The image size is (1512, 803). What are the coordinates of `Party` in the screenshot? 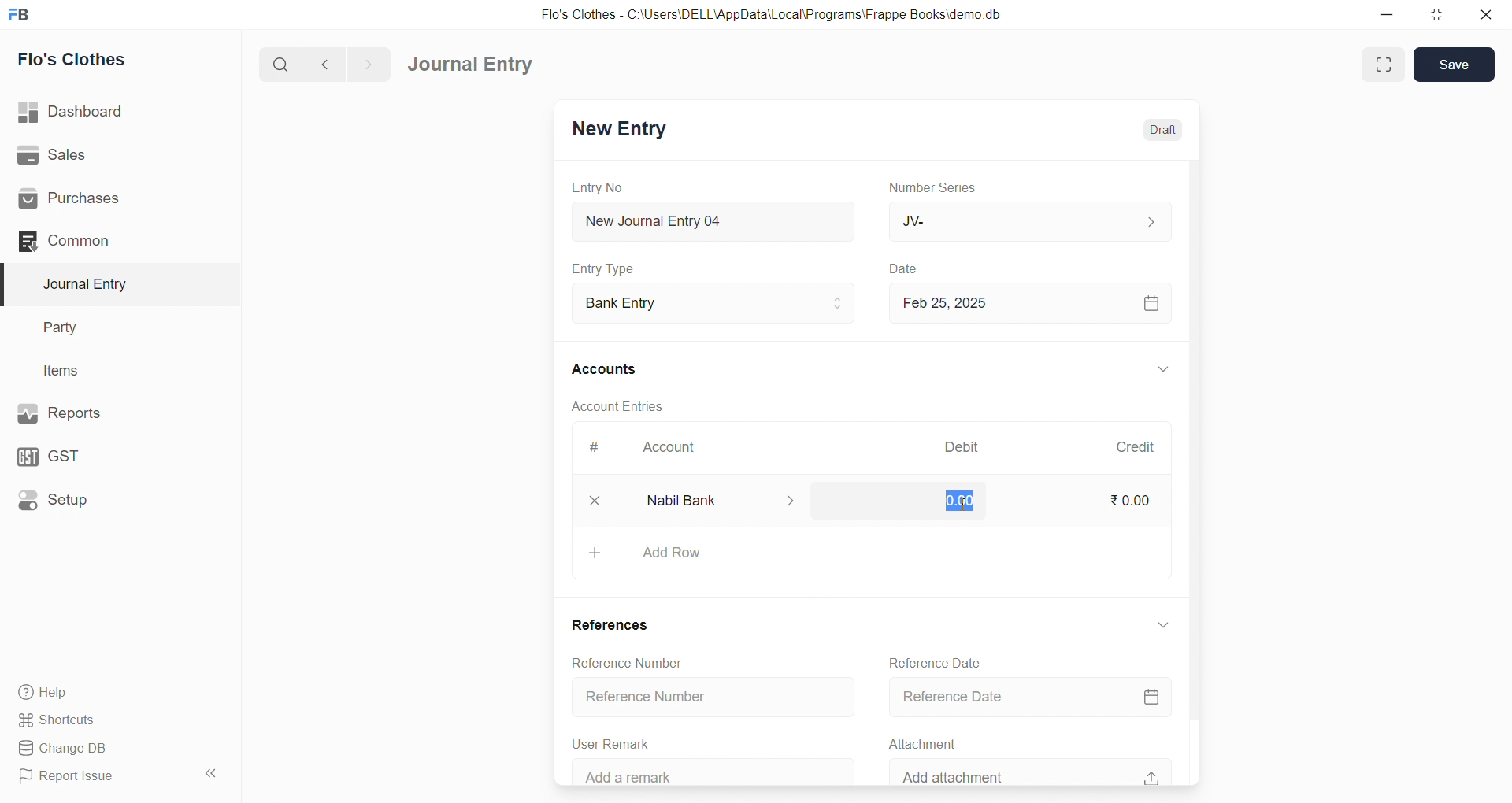 It's located at (110, 328).